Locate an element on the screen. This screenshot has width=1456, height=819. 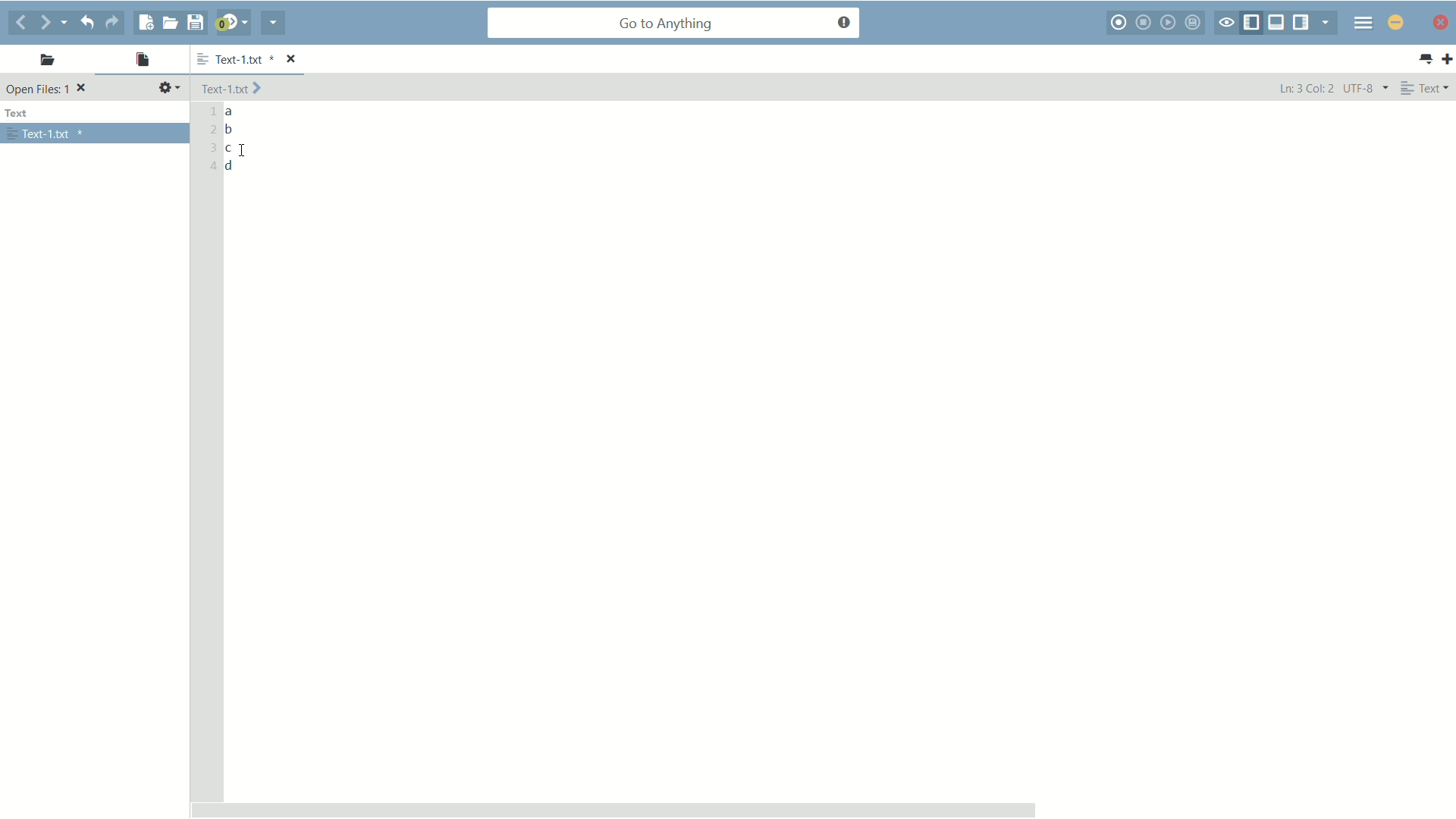
settings is located at coordinates (169, 88).